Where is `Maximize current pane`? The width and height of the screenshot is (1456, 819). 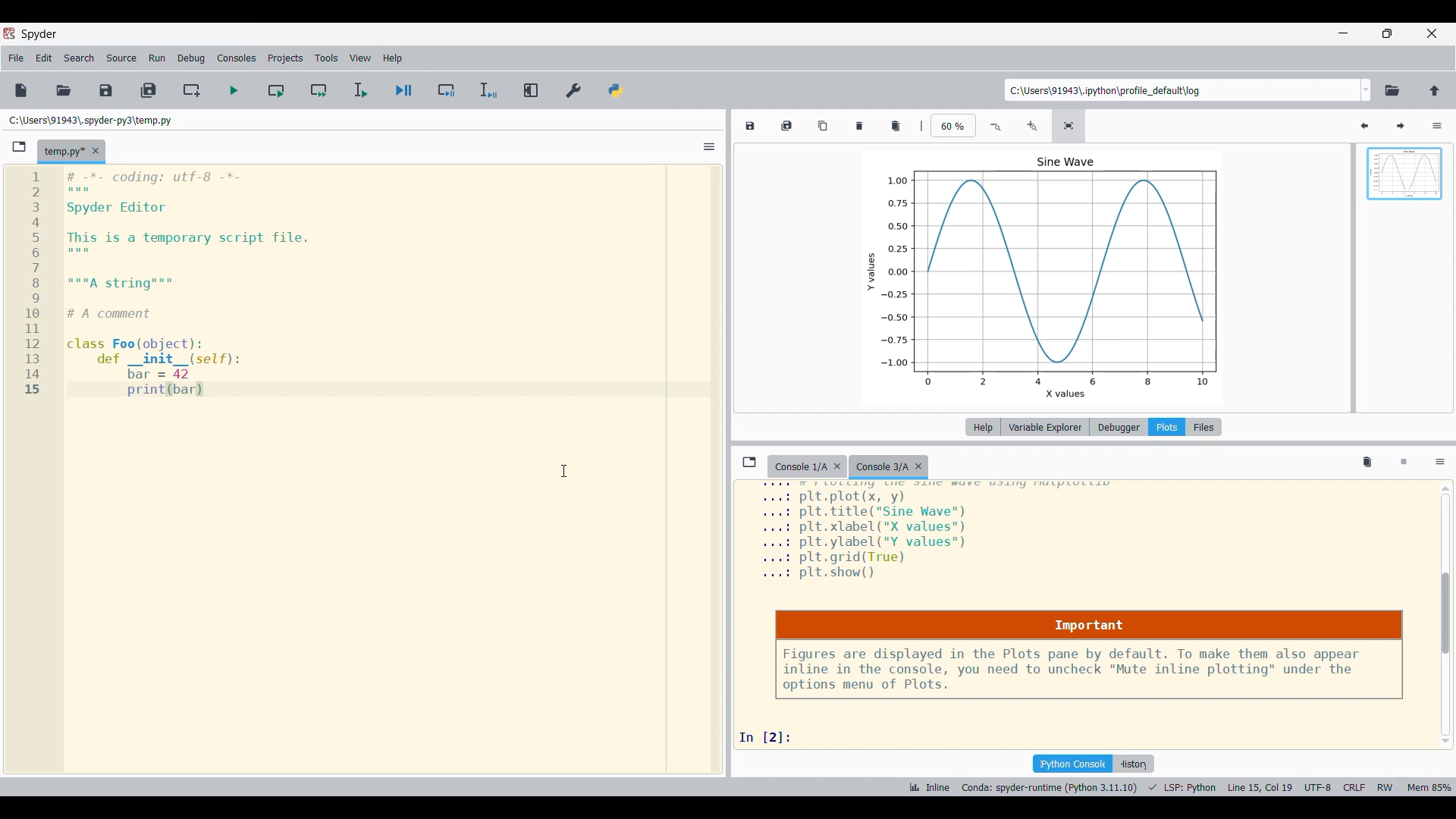 Maximize current pane is located at coordinates (532, 89).